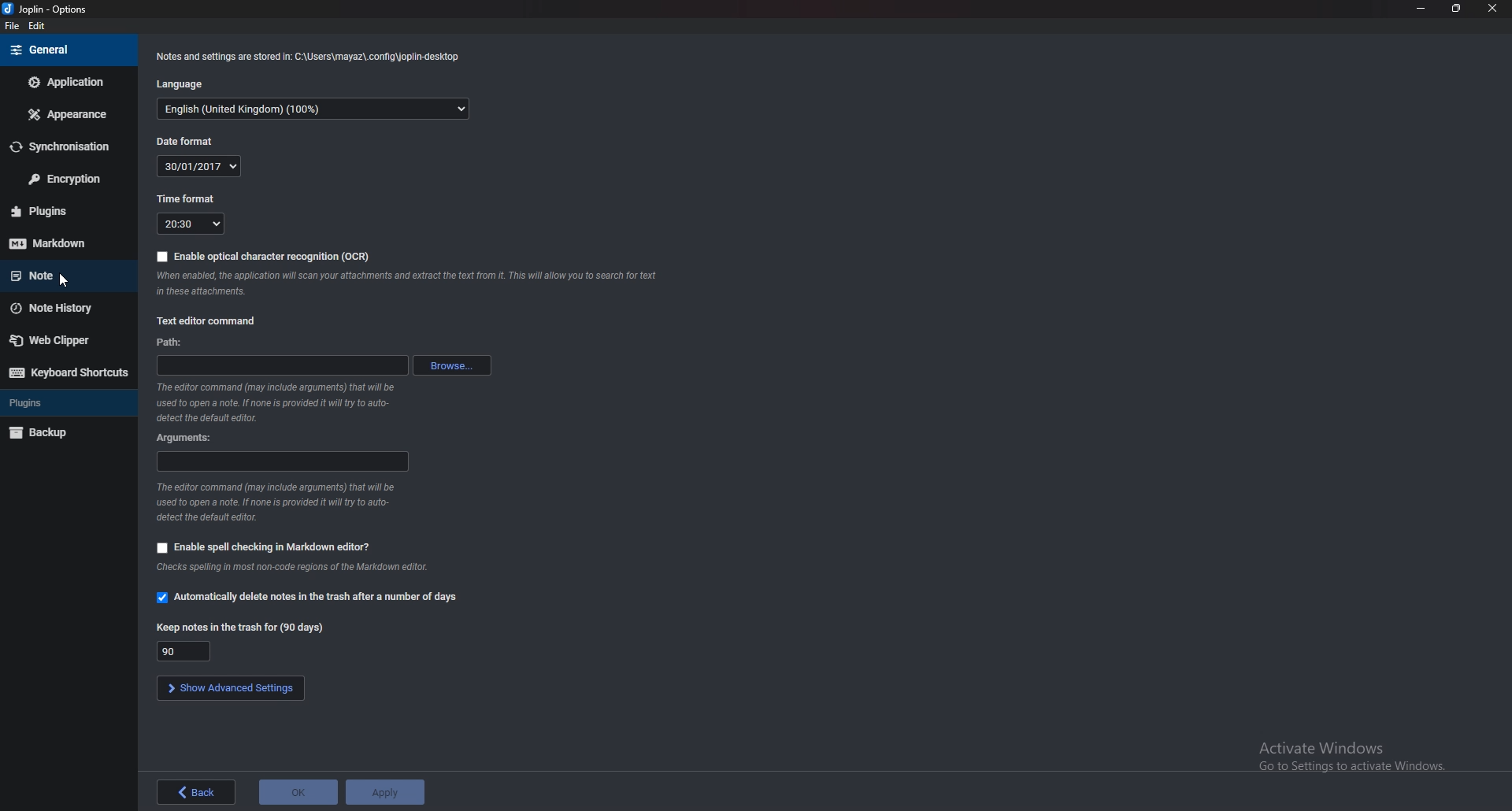 Image resolution: width=1512 pixels, height=811 pixels. What do you see at coordinates (324, 566) in the screenshot?
I see `Info` at bounding box center [324, 566].